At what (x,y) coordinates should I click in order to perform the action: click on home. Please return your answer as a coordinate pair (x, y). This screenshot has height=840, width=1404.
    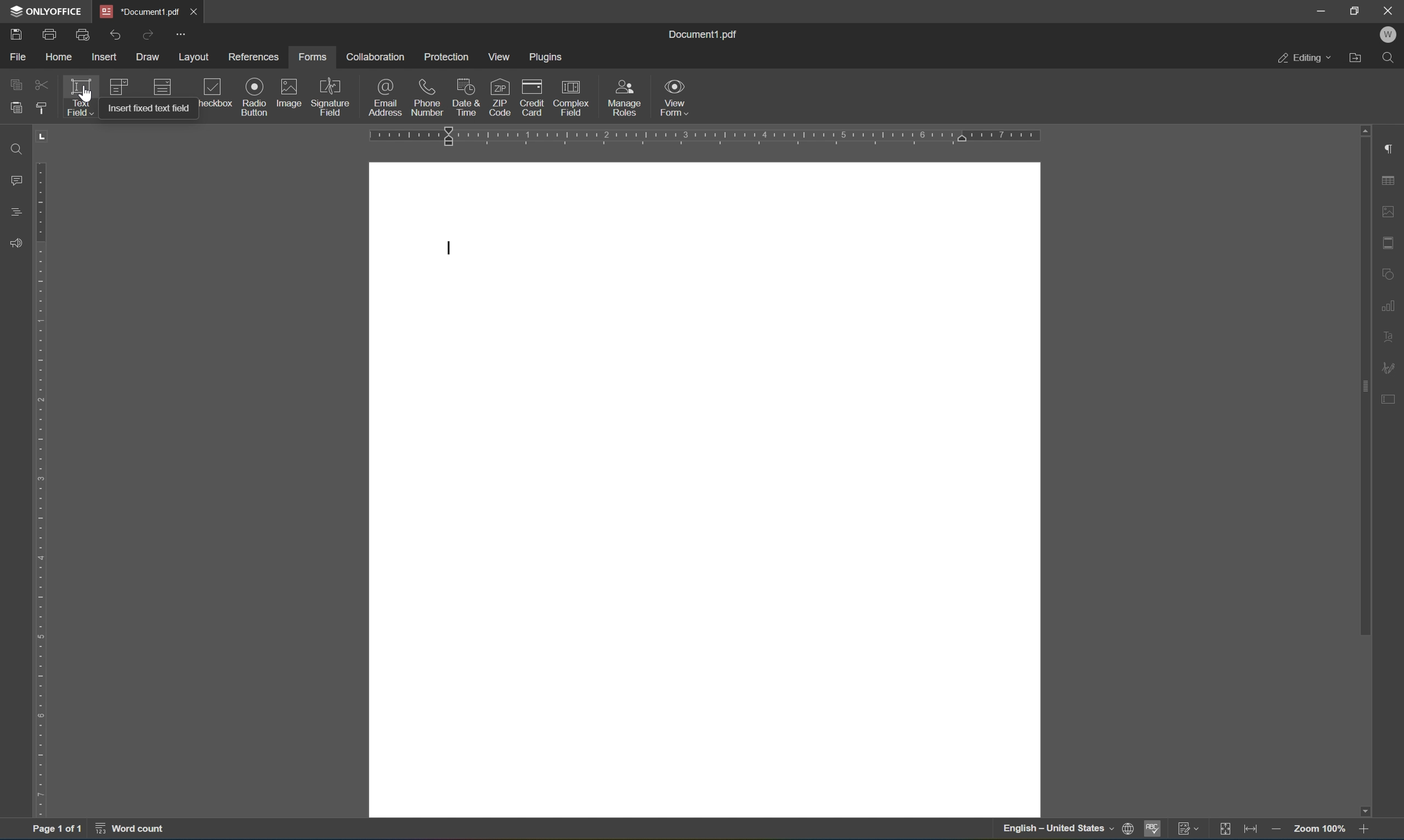
    Looking at the image, I should click on (58, 59).